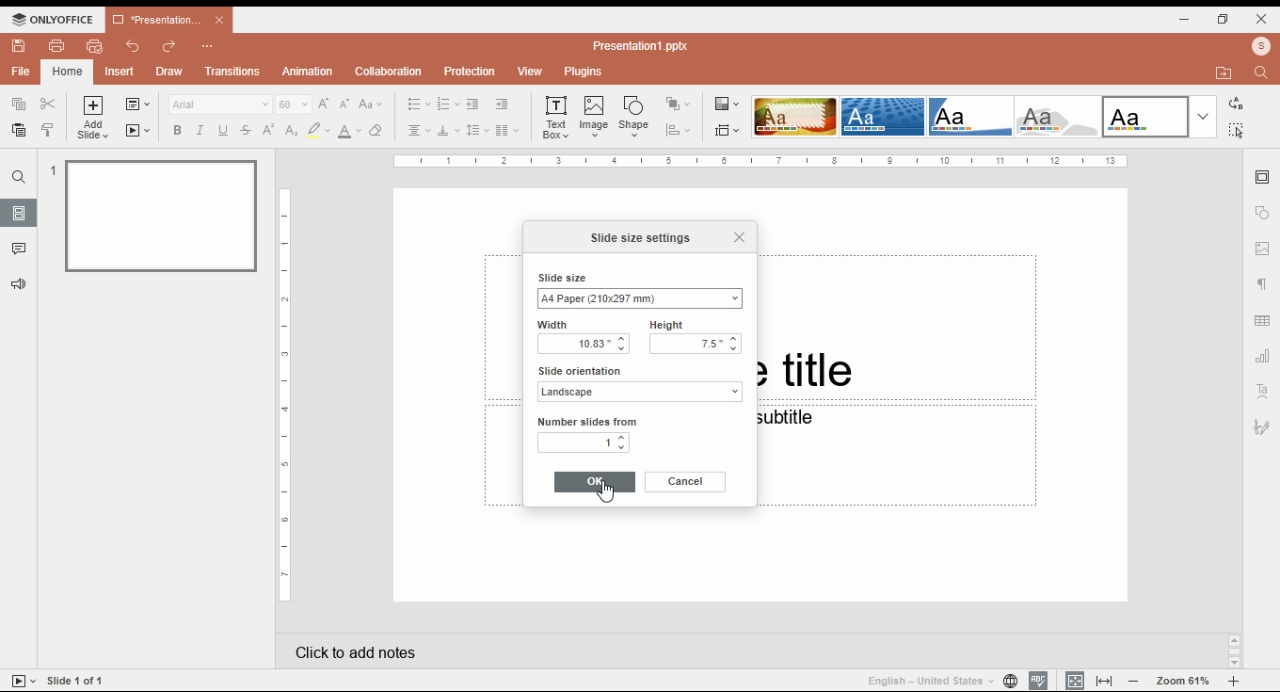 The image size is (1280, 692). What do you see at coordinates (20, 285) in the screenshot?
I see `feedback and support` at bounding box center [20, 285].